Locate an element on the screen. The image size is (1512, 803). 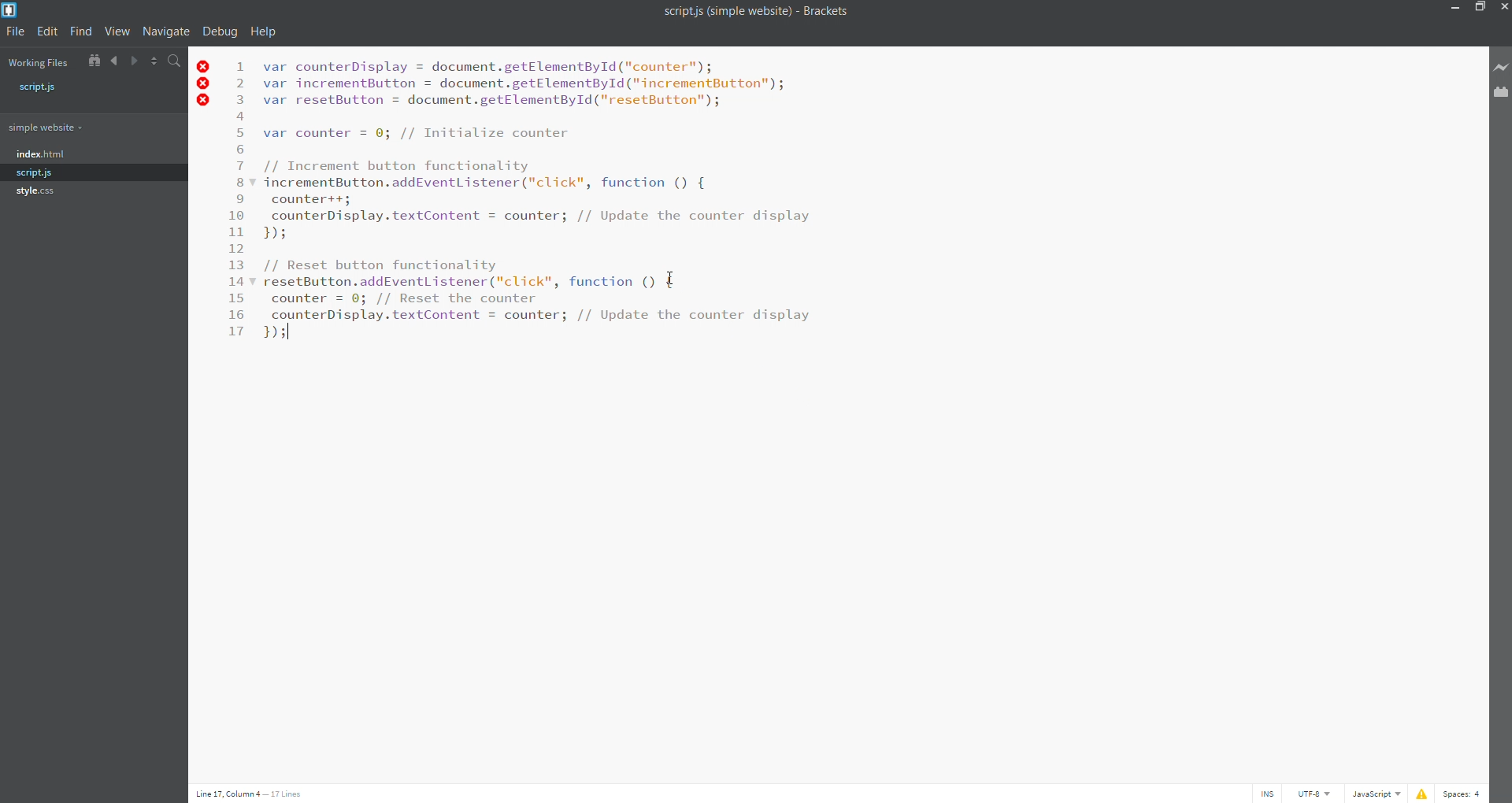
errors is located at coordinates (204, 85).